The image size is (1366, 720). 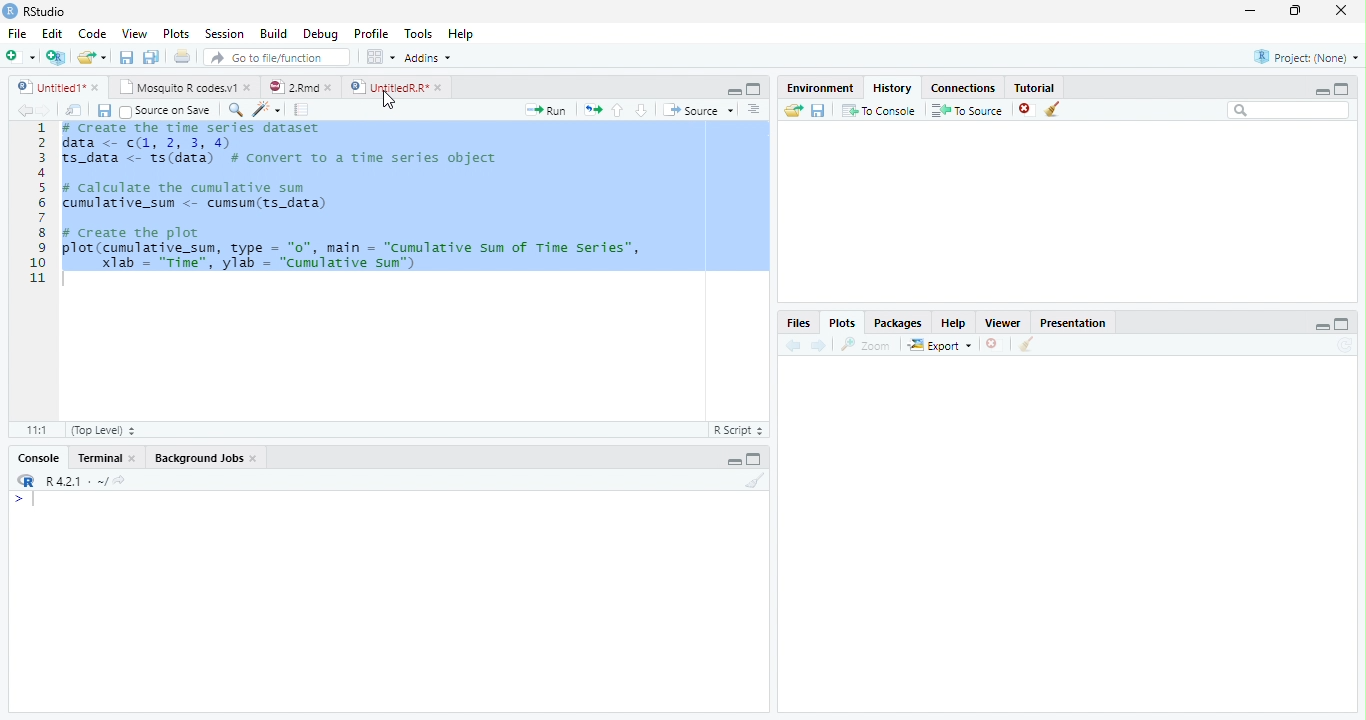 What do you see at coordinates (966, 111) in the screenshot?
I see `To Source` at bounding box center [966, 111].